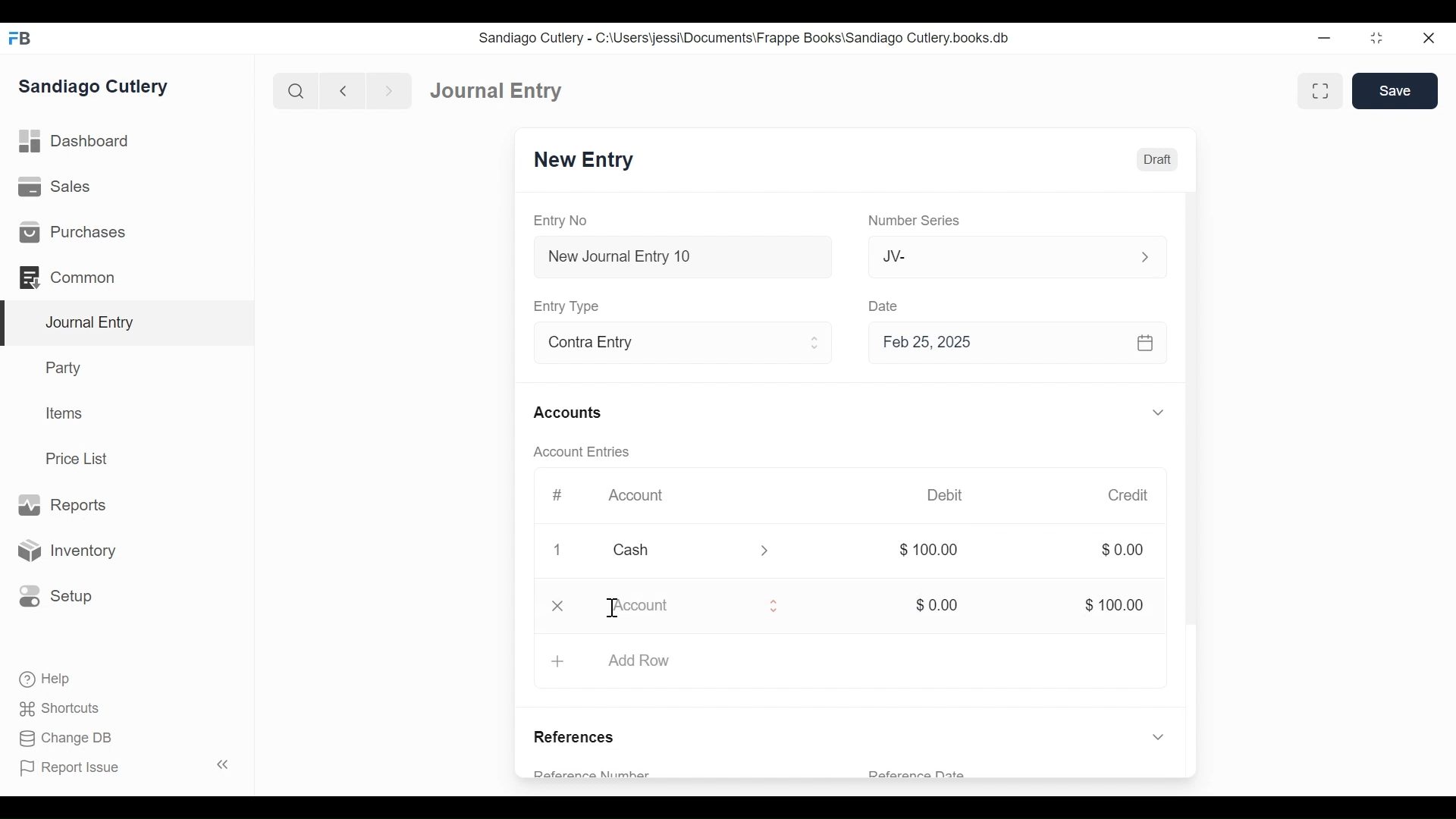  I want to click on Vertical Scroll bar, so click(1194, 434).